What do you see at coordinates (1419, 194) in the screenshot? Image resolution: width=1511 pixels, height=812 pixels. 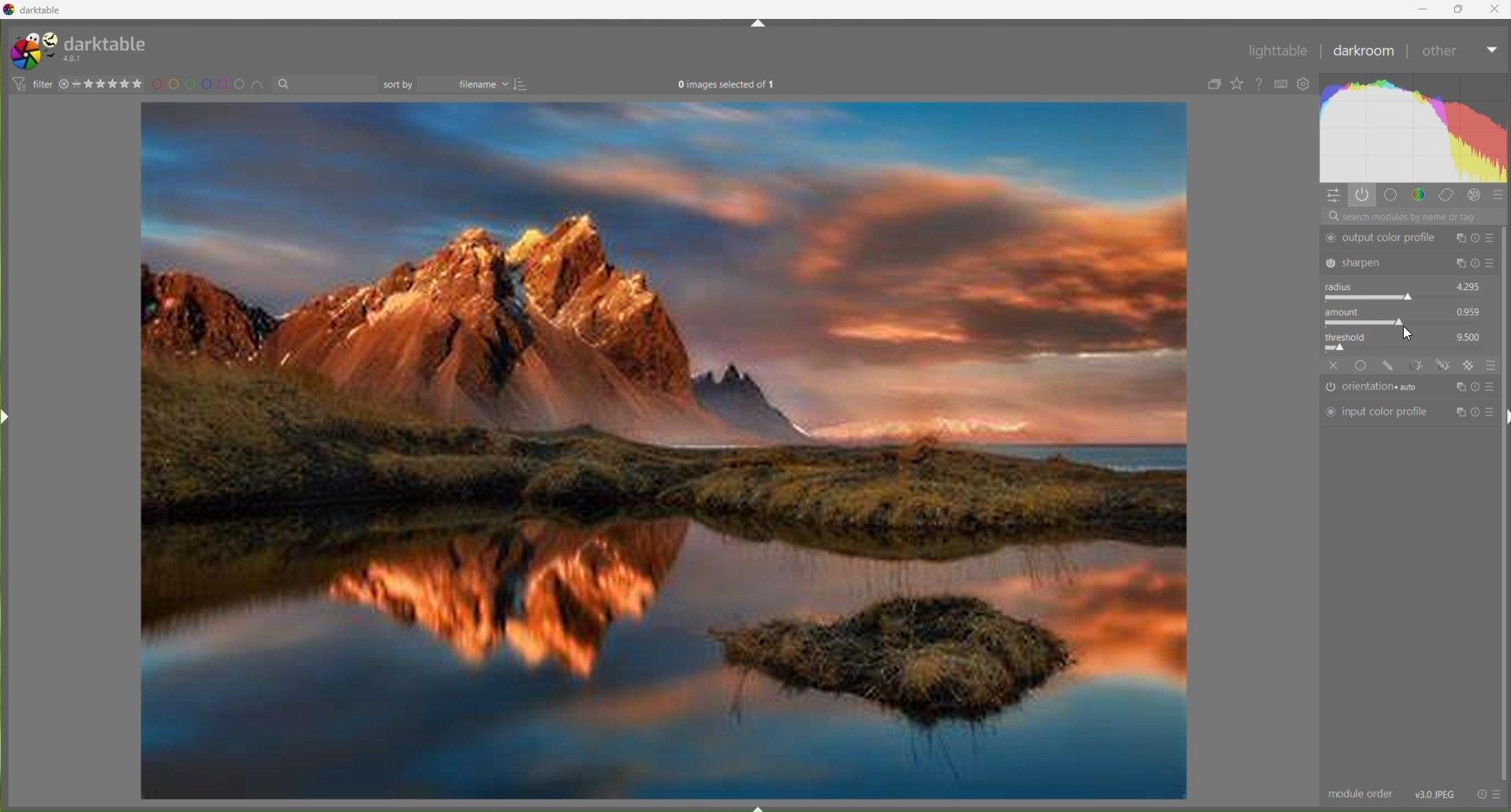 I see `color` at bounding box center [1419, 194].